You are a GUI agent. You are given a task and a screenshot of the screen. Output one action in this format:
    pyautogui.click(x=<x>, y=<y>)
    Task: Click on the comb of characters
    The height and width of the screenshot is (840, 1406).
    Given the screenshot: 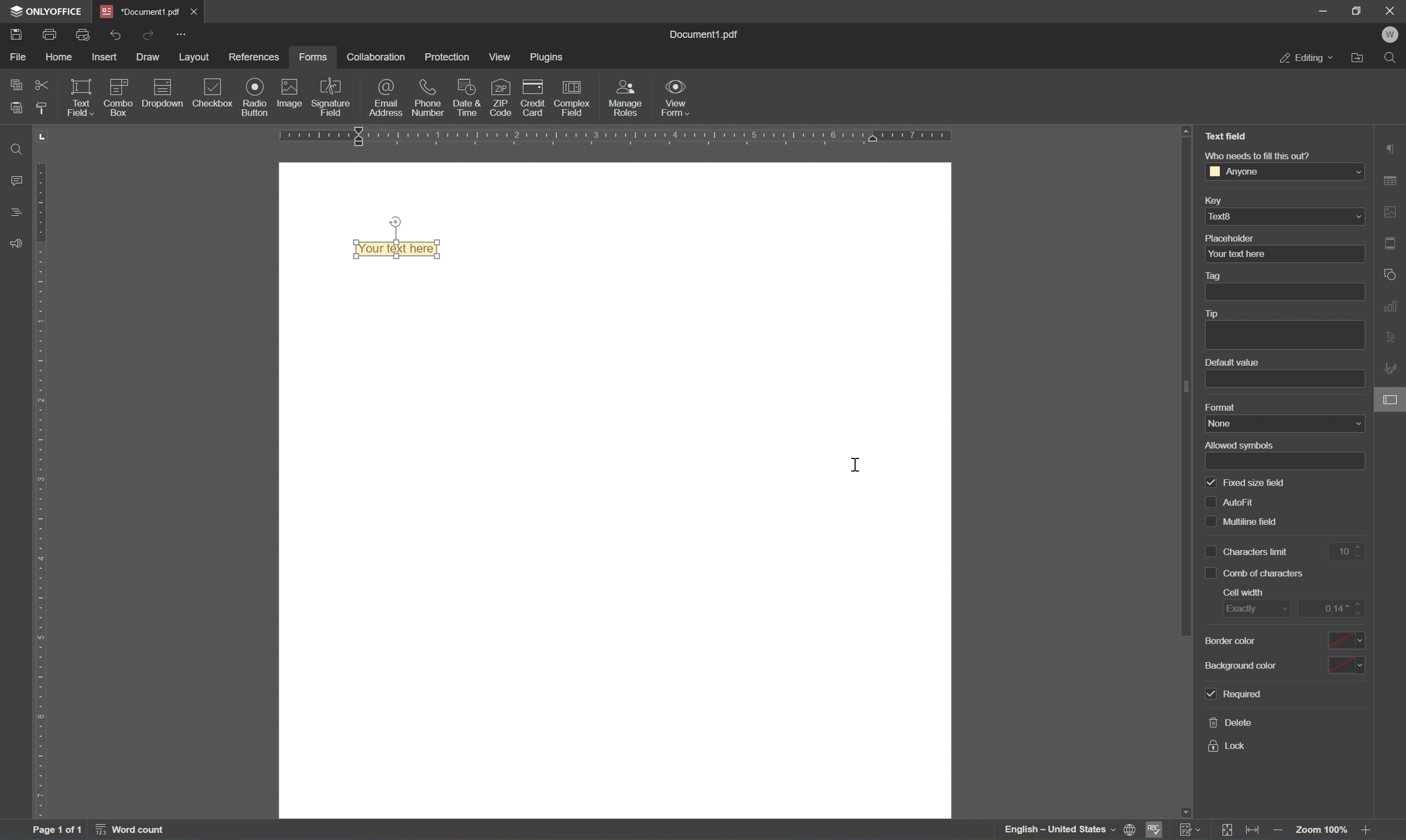 What is the action you would take?
    pyautogui.click(x=1258, y=572)
    